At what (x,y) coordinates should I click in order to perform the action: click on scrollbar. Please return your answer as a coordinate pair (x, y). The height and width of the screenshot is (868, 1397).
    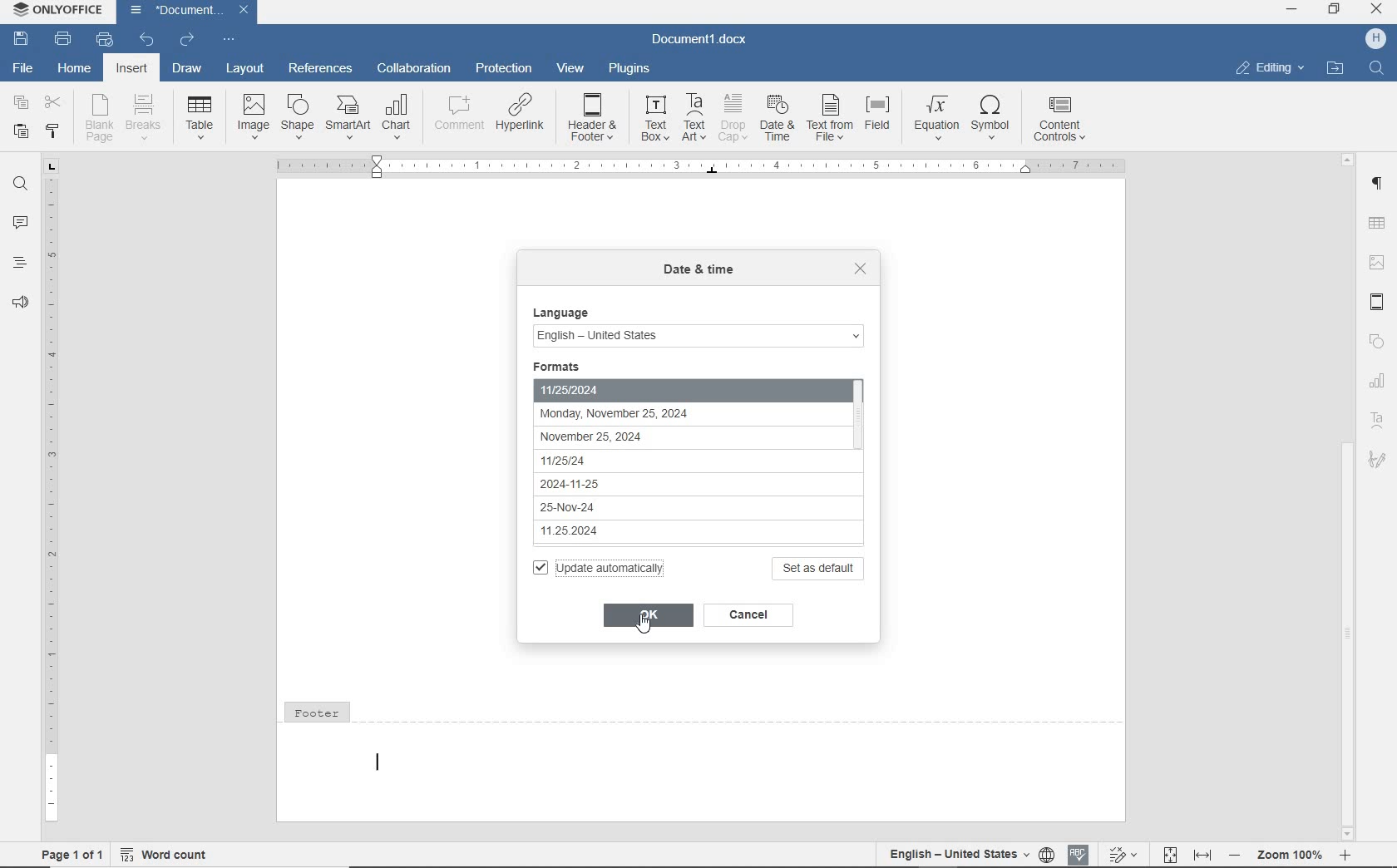
    Looking at the image, I should click on (1348, 496).